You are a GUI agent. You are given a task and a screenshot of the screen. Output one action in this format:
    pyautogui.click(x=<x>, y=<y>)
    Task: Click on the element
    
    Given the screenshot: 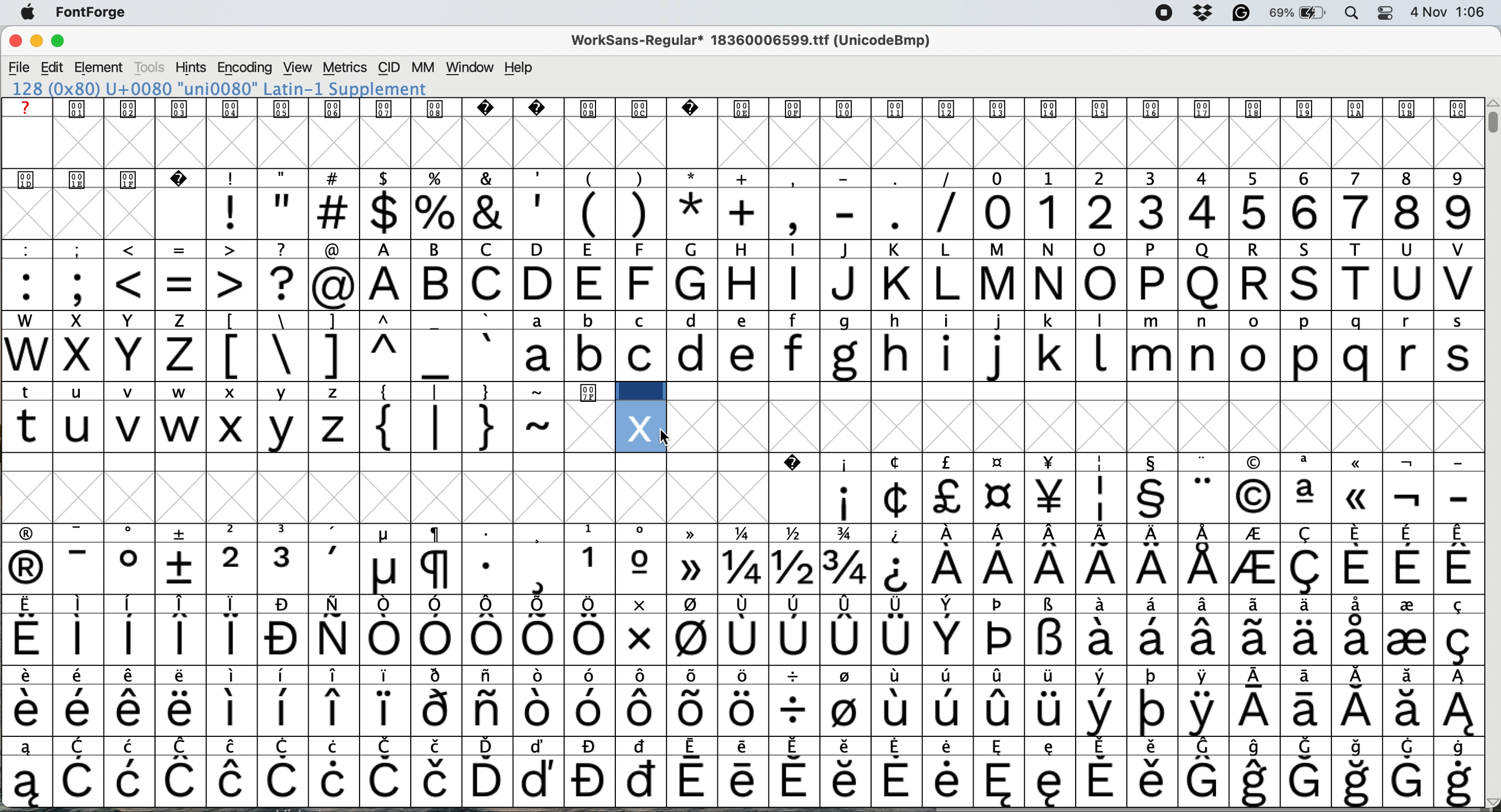 What is the action you would take?
    pyautogui.click(x=101, y=68)
    